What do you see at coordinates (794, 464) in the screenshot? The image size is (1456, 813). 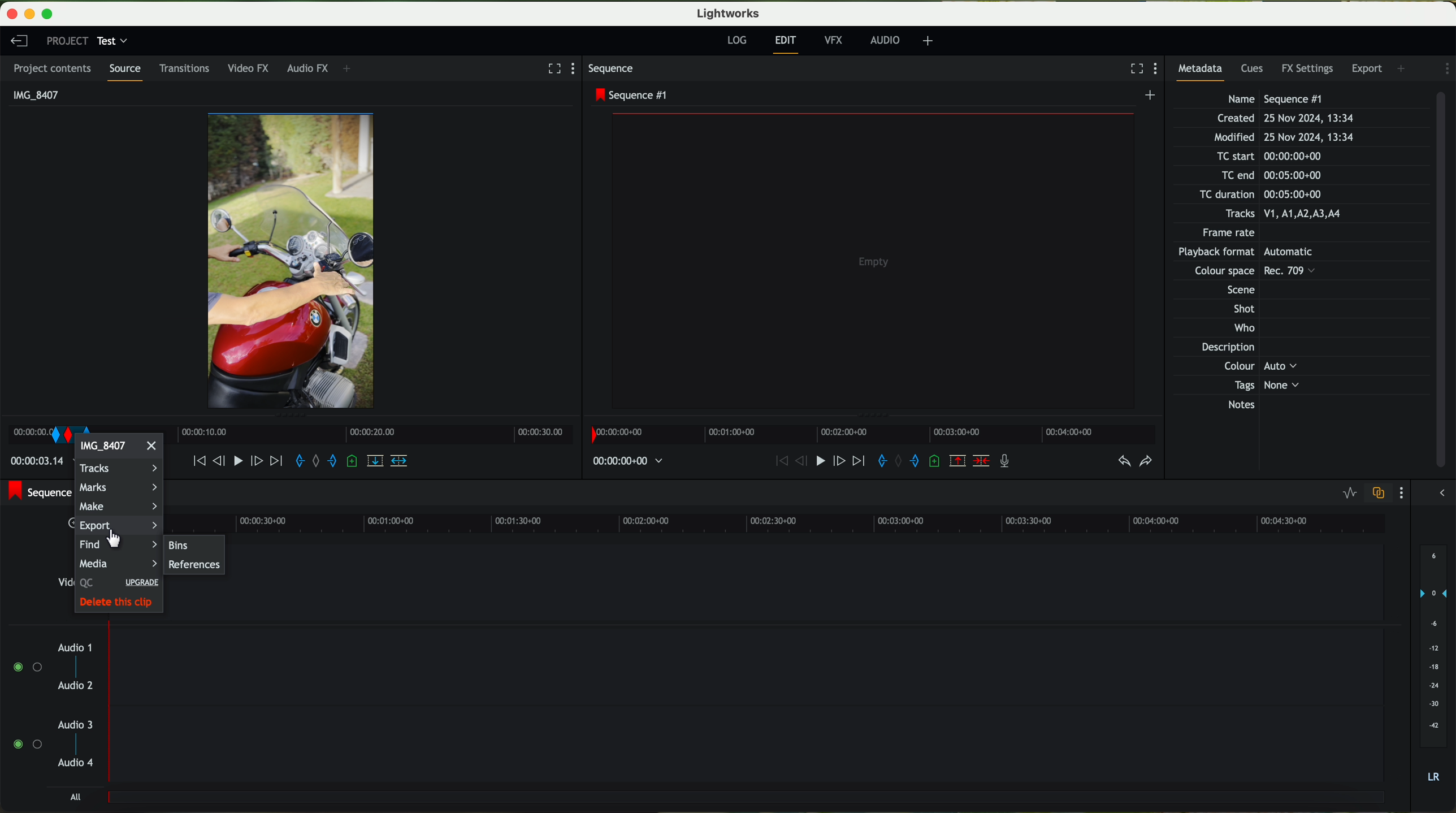 I see `nudge one frame back` at bounding box center [794, 464].